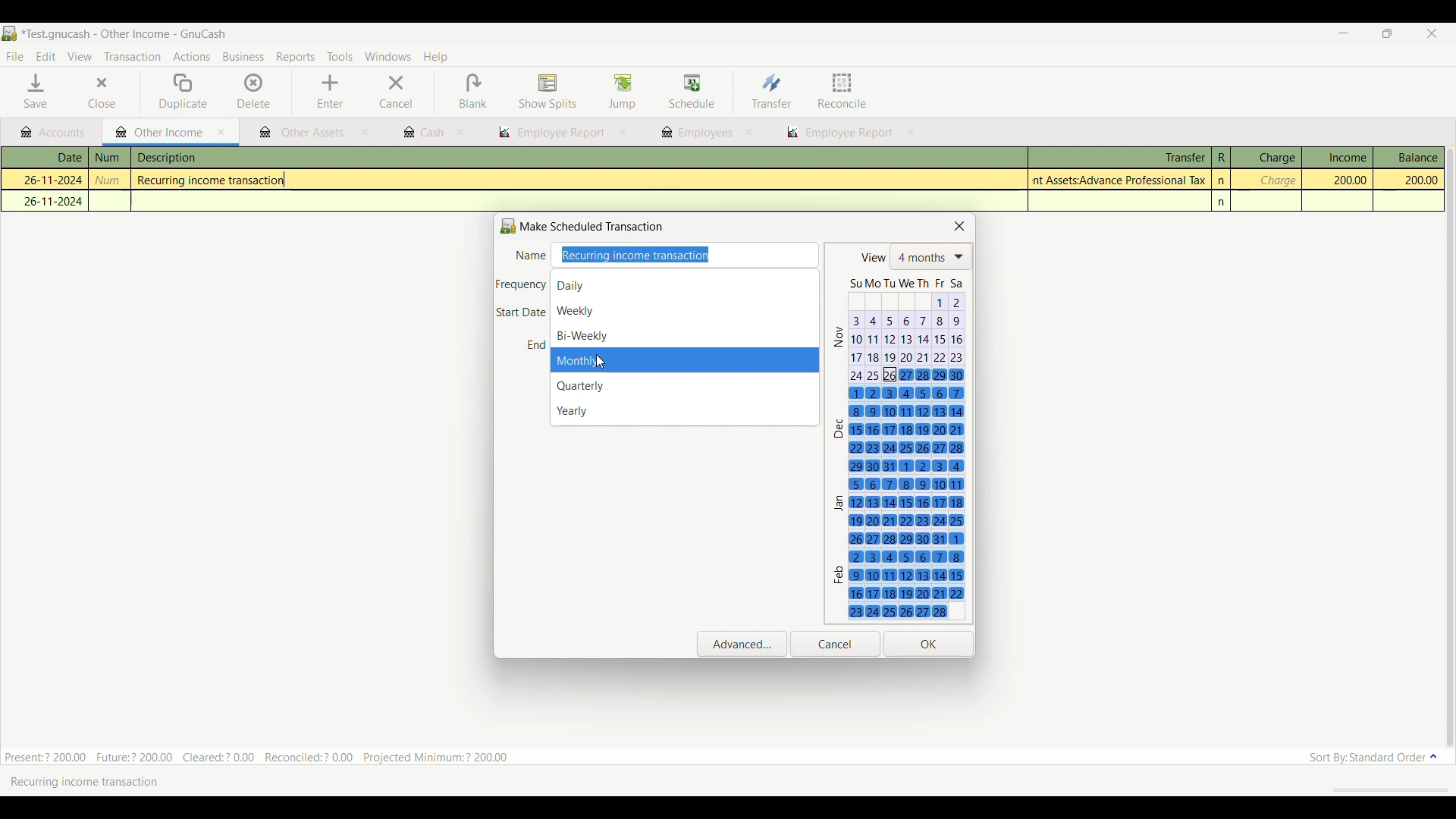 The width and height of the screenshot is (1456, 819). What do you see at coordinates (848, 134) in the screenshot?
I see `employee report` at bounding box center [848, 134].